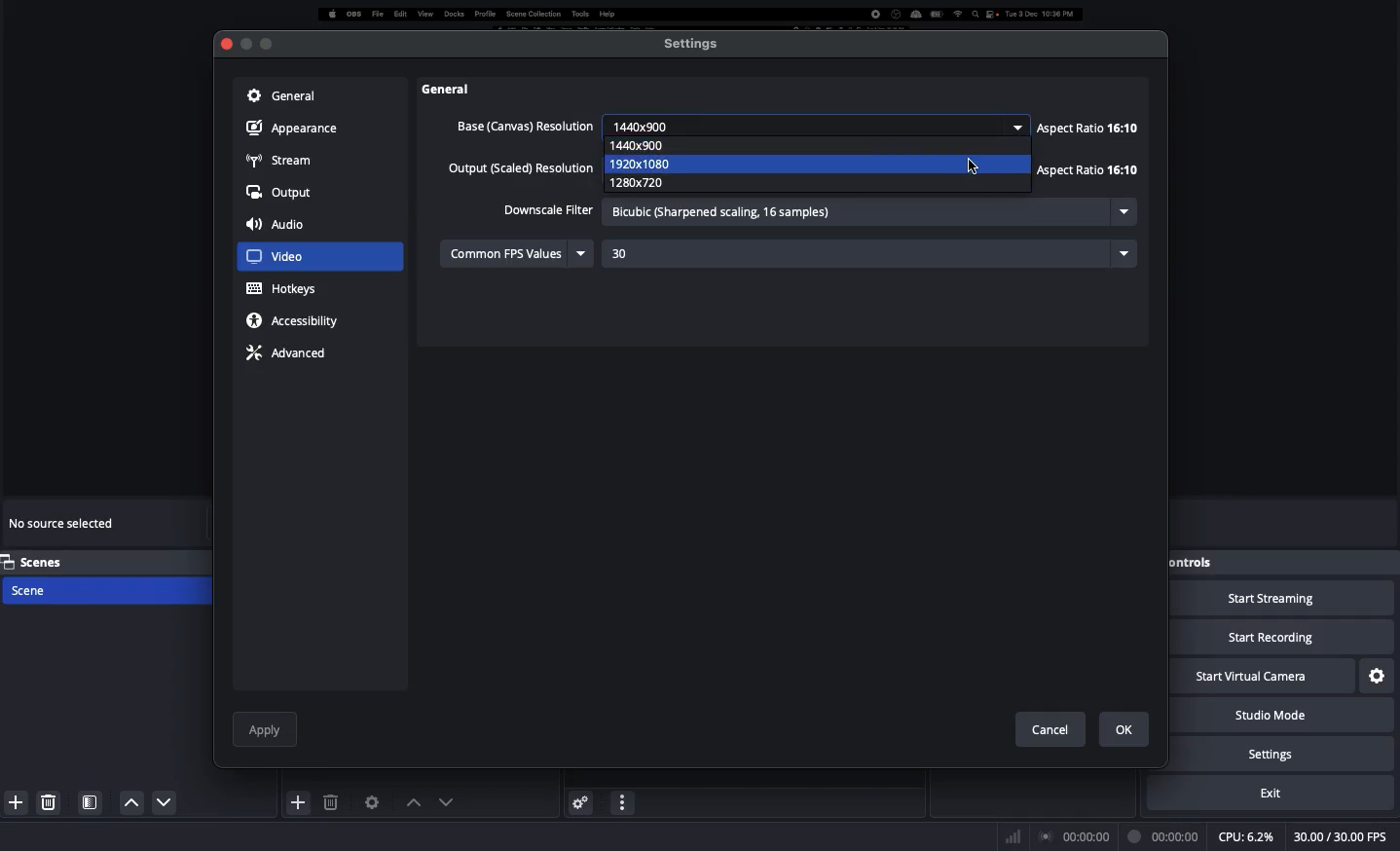 This screenshot has height=851, width=1400. Describe the element at coordinates (1298, 754) in the screenshot. I see `Settings` at that location.